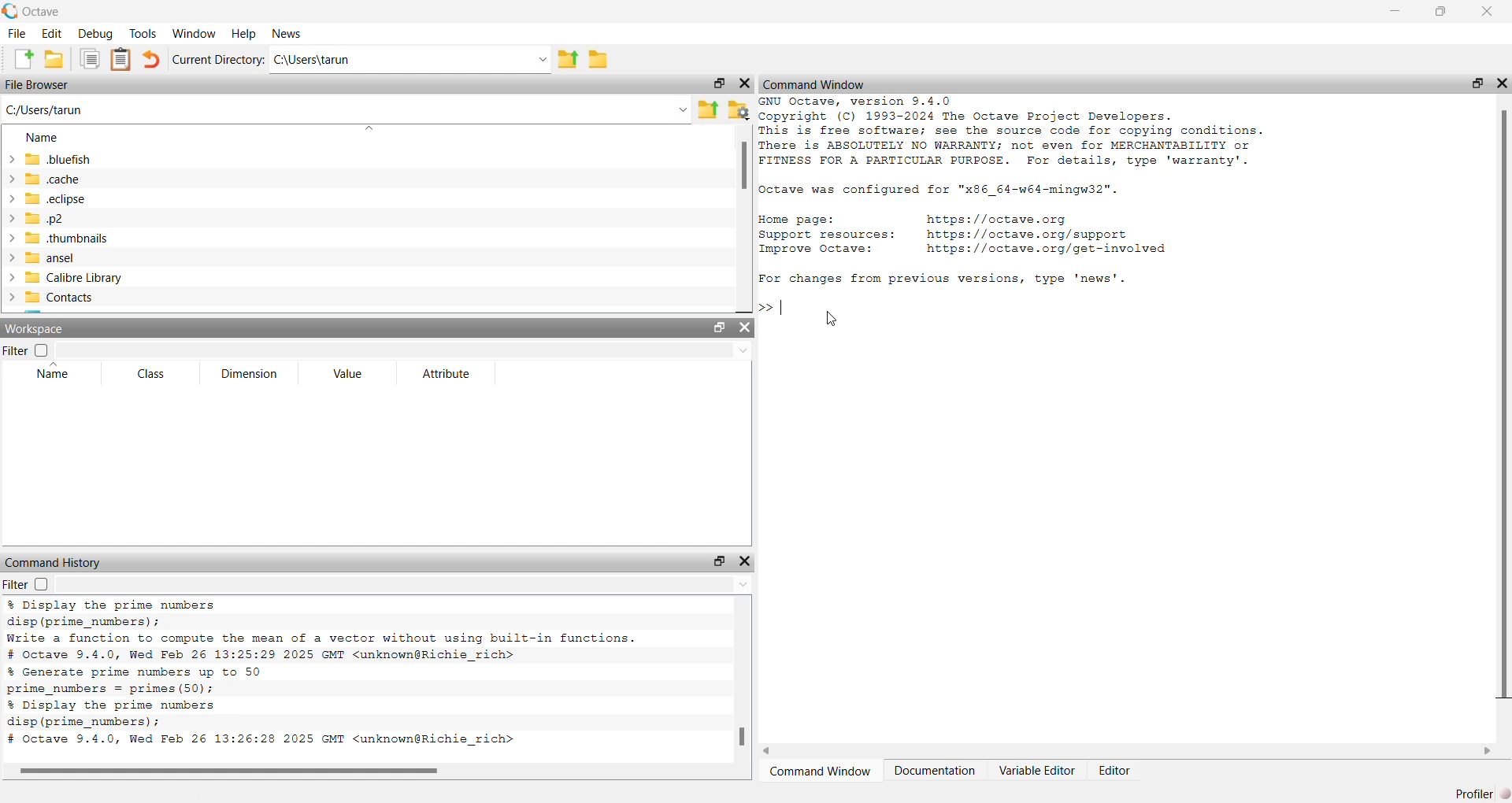 The image size is (1512, 803). Describe the element at coordinates (1503, 83) in the screenshot. I see `close` at that location.